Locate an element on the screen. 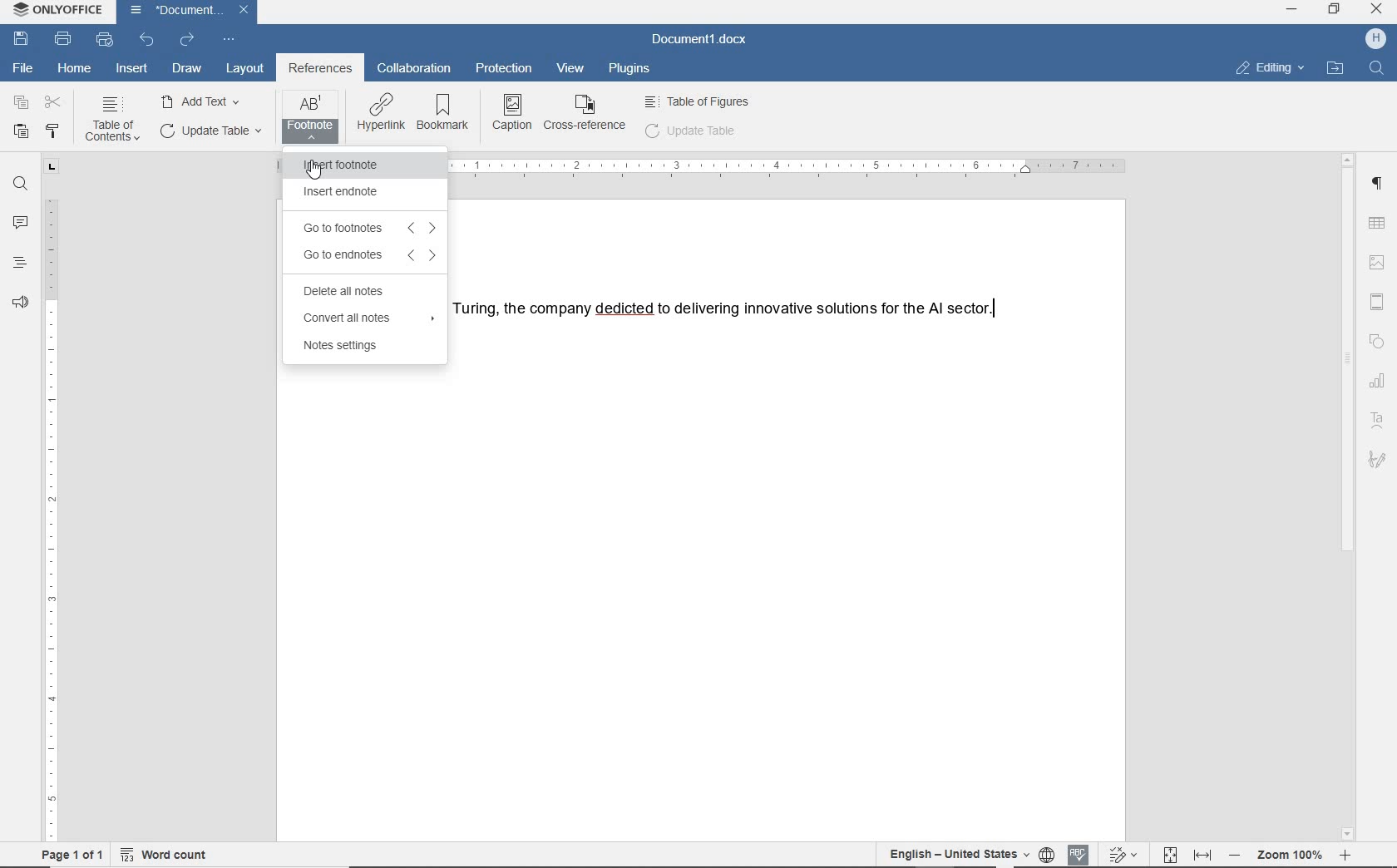 The width and height of the screenshot is (1397, 868). go to end notes is located at coordinates (365, 255).